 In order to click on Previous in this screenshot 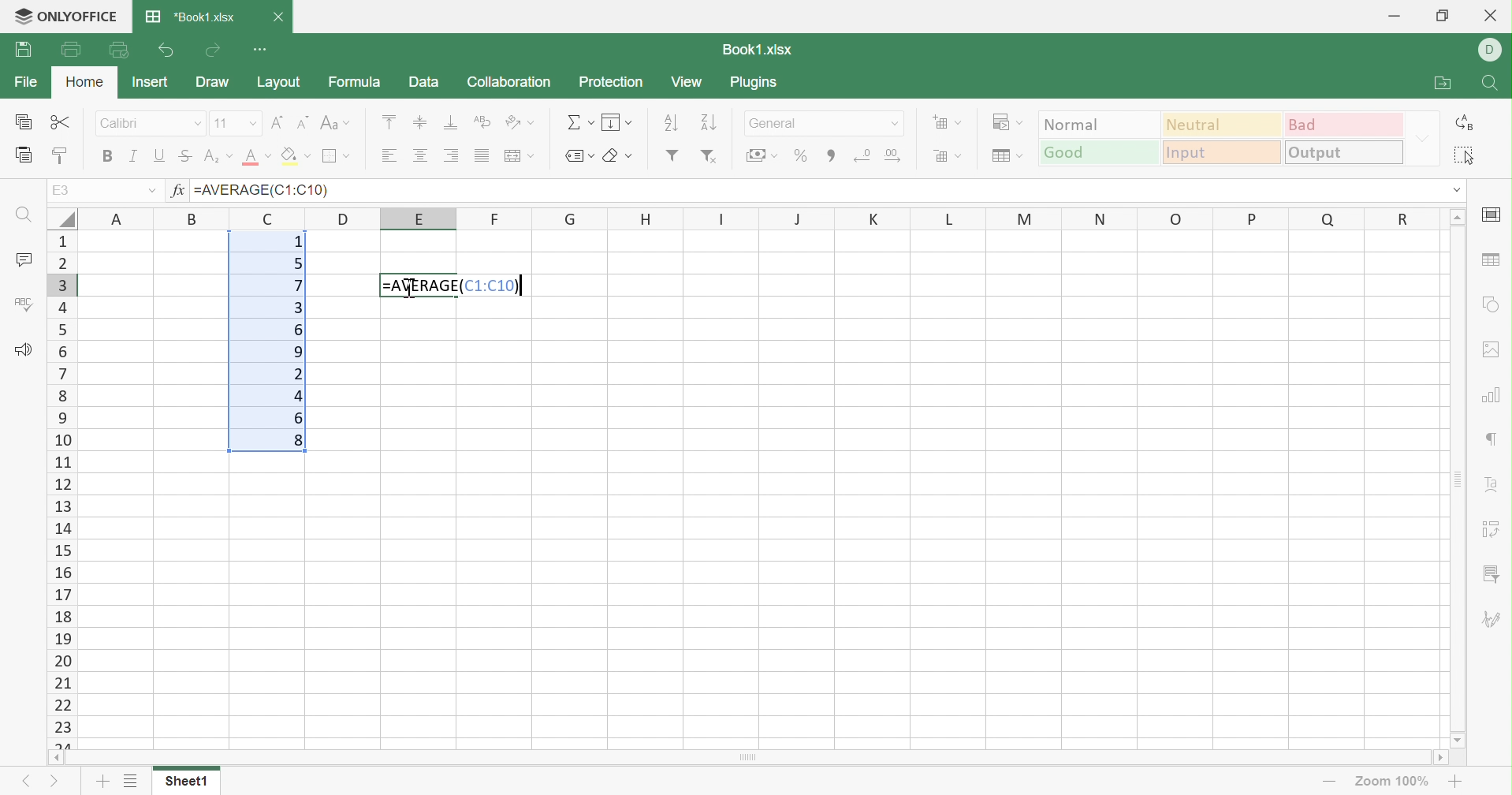, I will do `click(26, 781)`.